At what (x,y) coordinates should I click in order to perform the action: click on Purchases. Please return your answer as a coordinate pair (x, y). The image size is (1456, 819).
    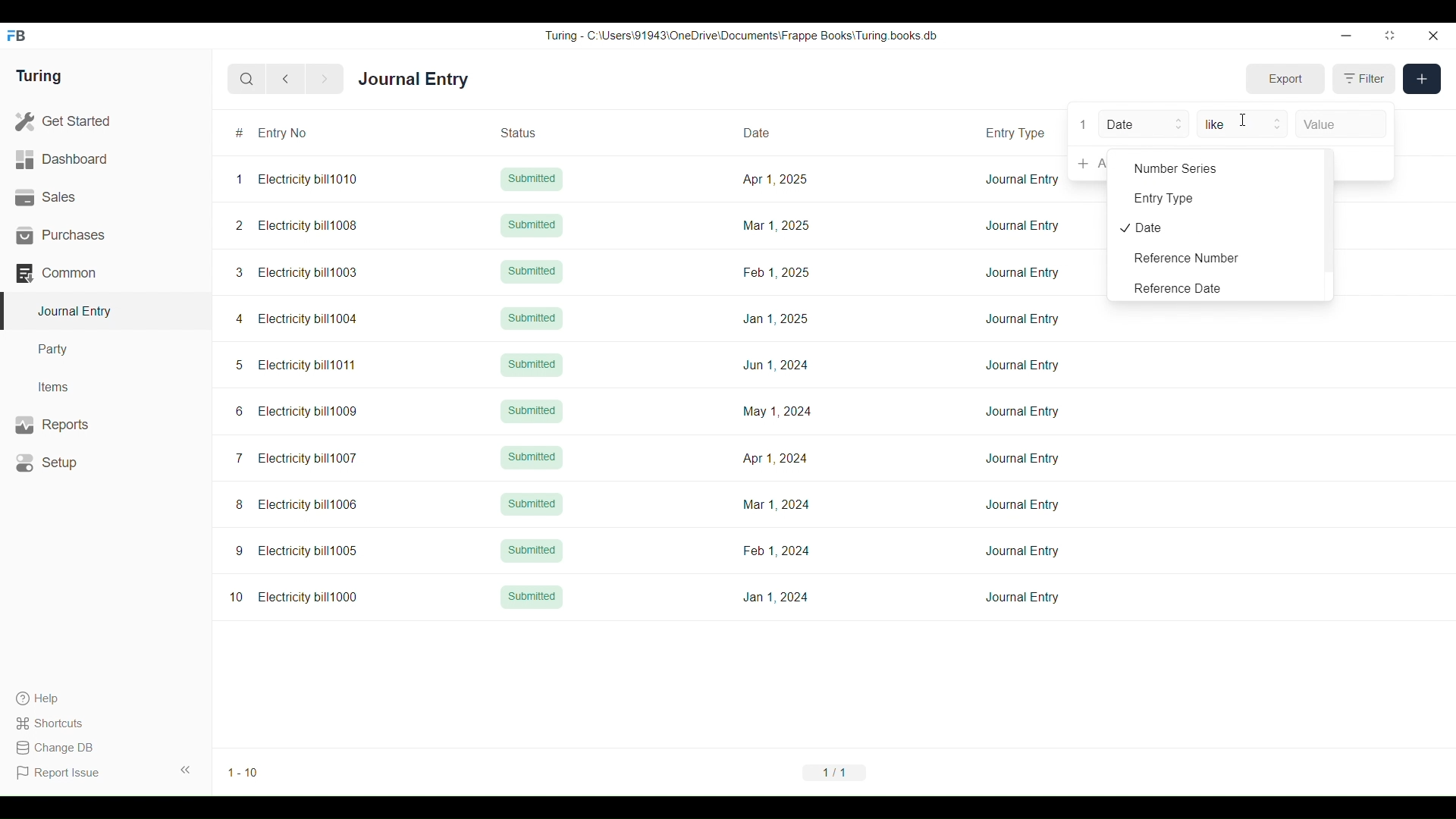
    Looking at the image, I should click on (105, 235).